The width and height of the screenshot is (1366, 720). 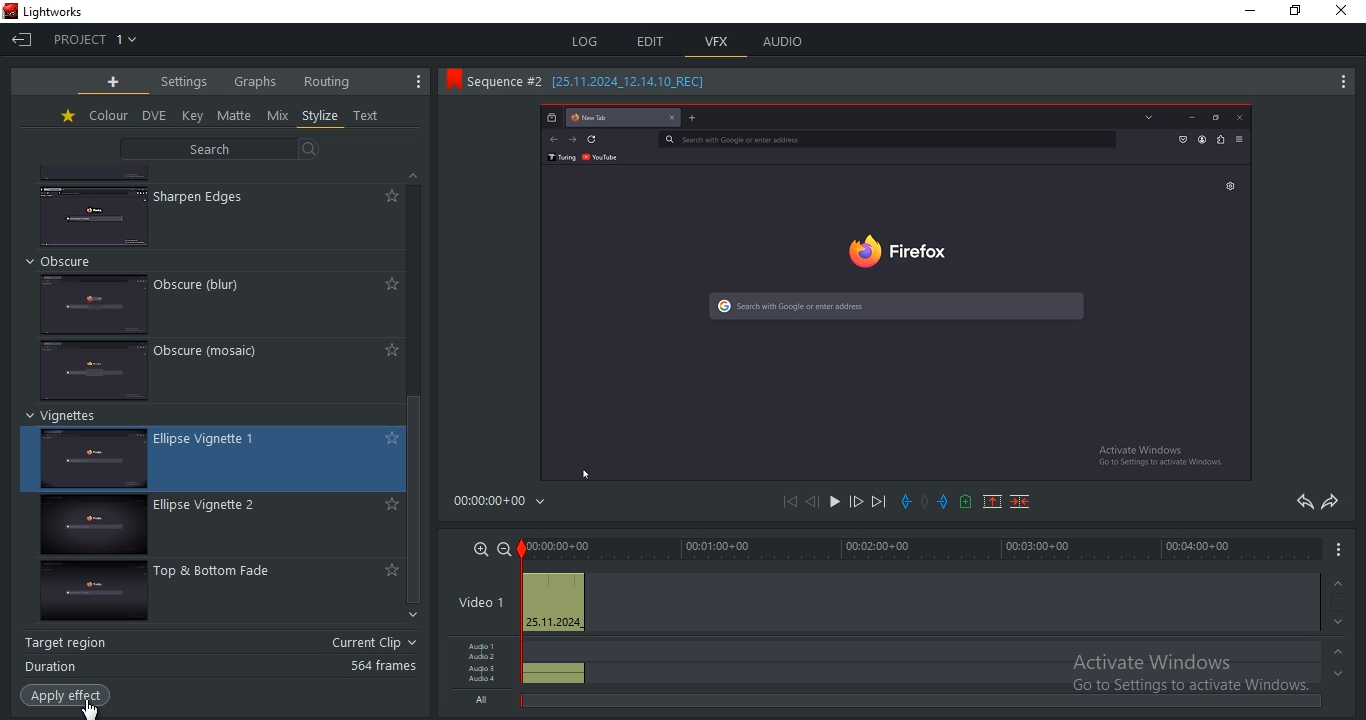 What do you see at coordinates (390, 505) in the screenshot?
I see `Add to favorites` at bounding box center [390, 505].